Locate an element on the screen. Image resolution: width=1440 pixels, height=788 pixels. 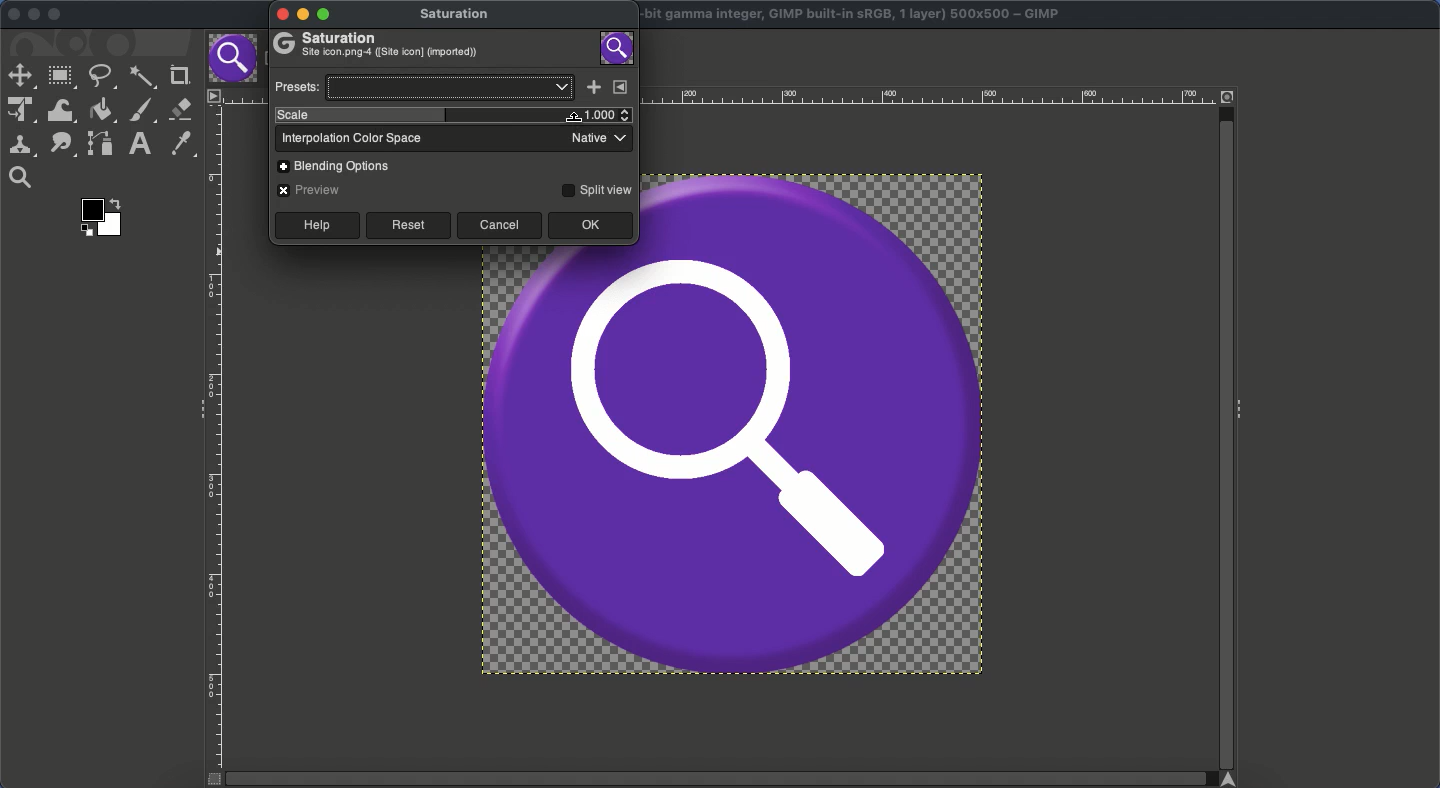
Split view is located at coordinates (596, 189).